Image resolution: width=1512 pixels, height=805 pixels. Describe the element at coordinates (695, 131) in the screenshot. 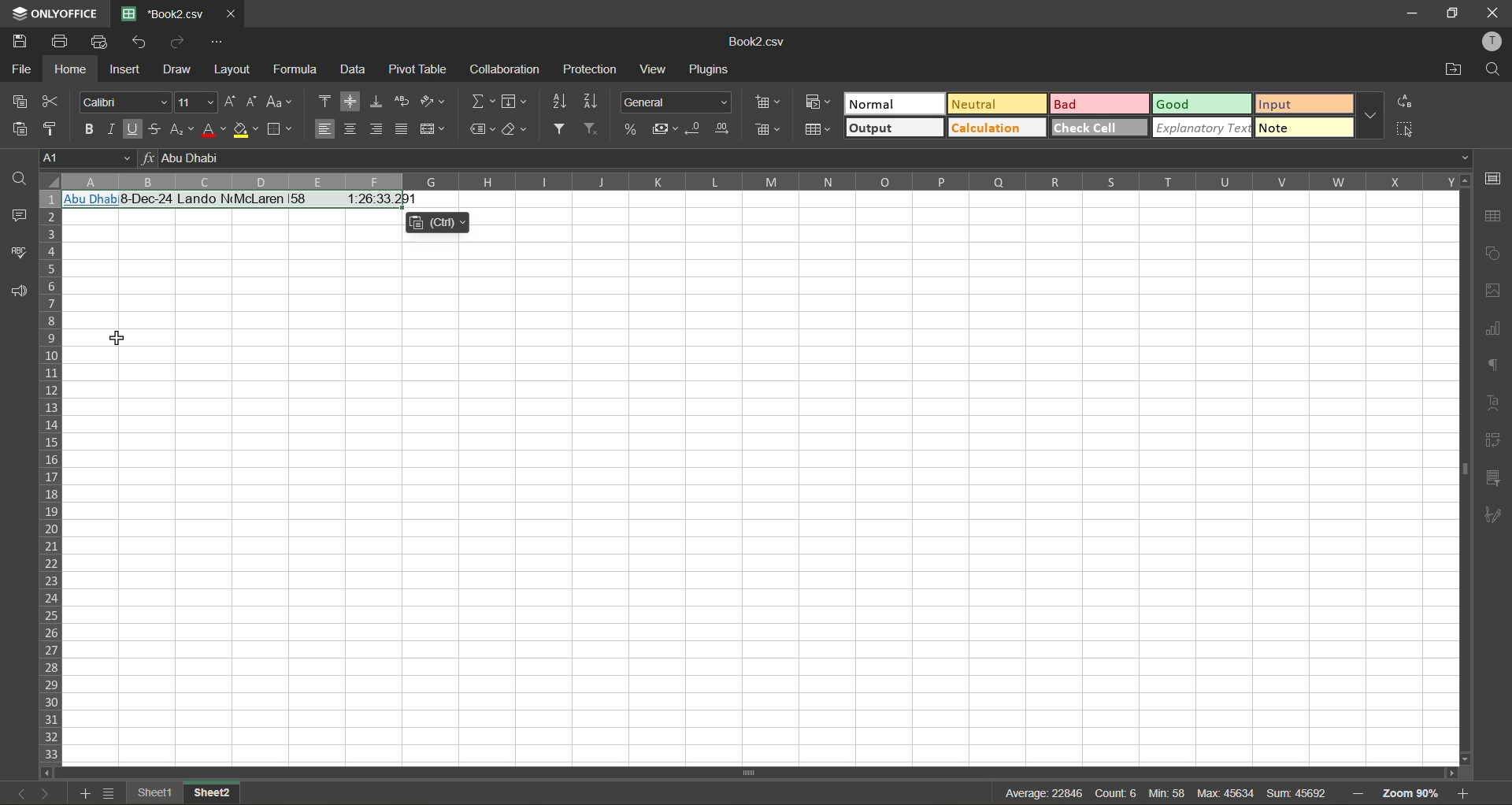

I see `decrease decimal` at that location.